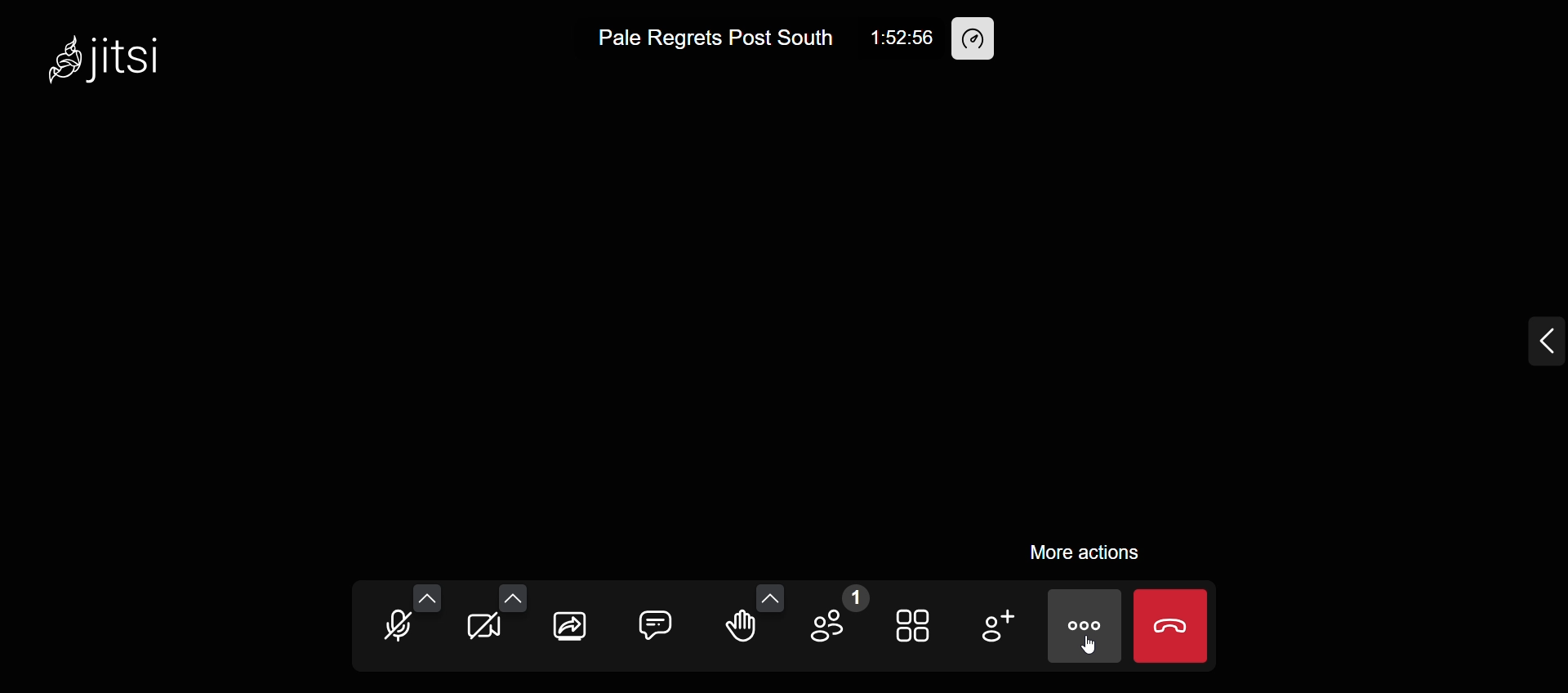 This screenshot has width=1568, height=693. Describe the element at coordinates (1083, 628) in the screenshot. I see `more actions` at that location.